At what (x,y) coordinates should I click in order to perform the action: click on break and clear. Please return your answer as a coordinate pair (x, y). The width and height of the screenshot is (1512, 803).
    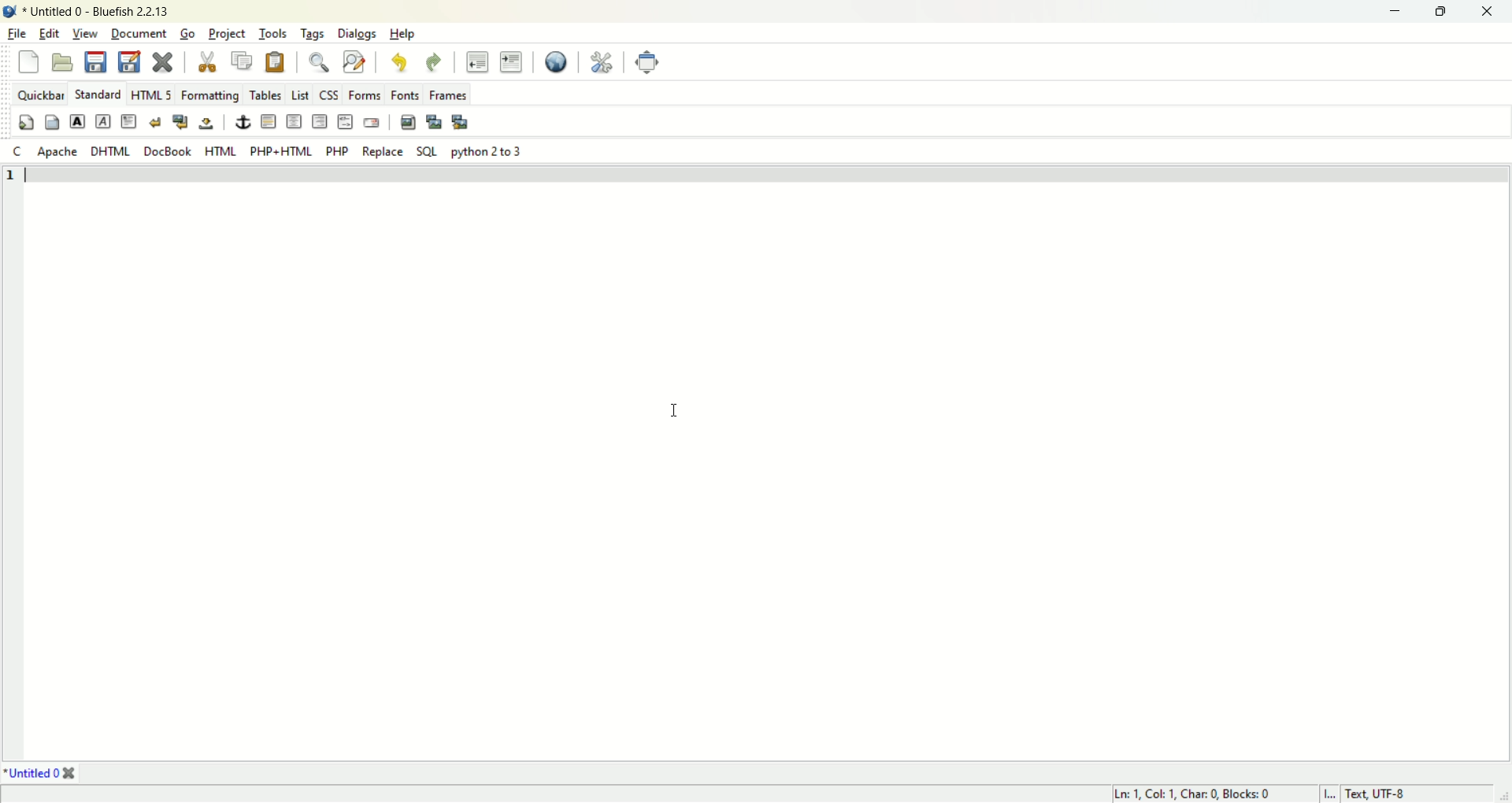
    Looking at the image, I should click on (179, 123).